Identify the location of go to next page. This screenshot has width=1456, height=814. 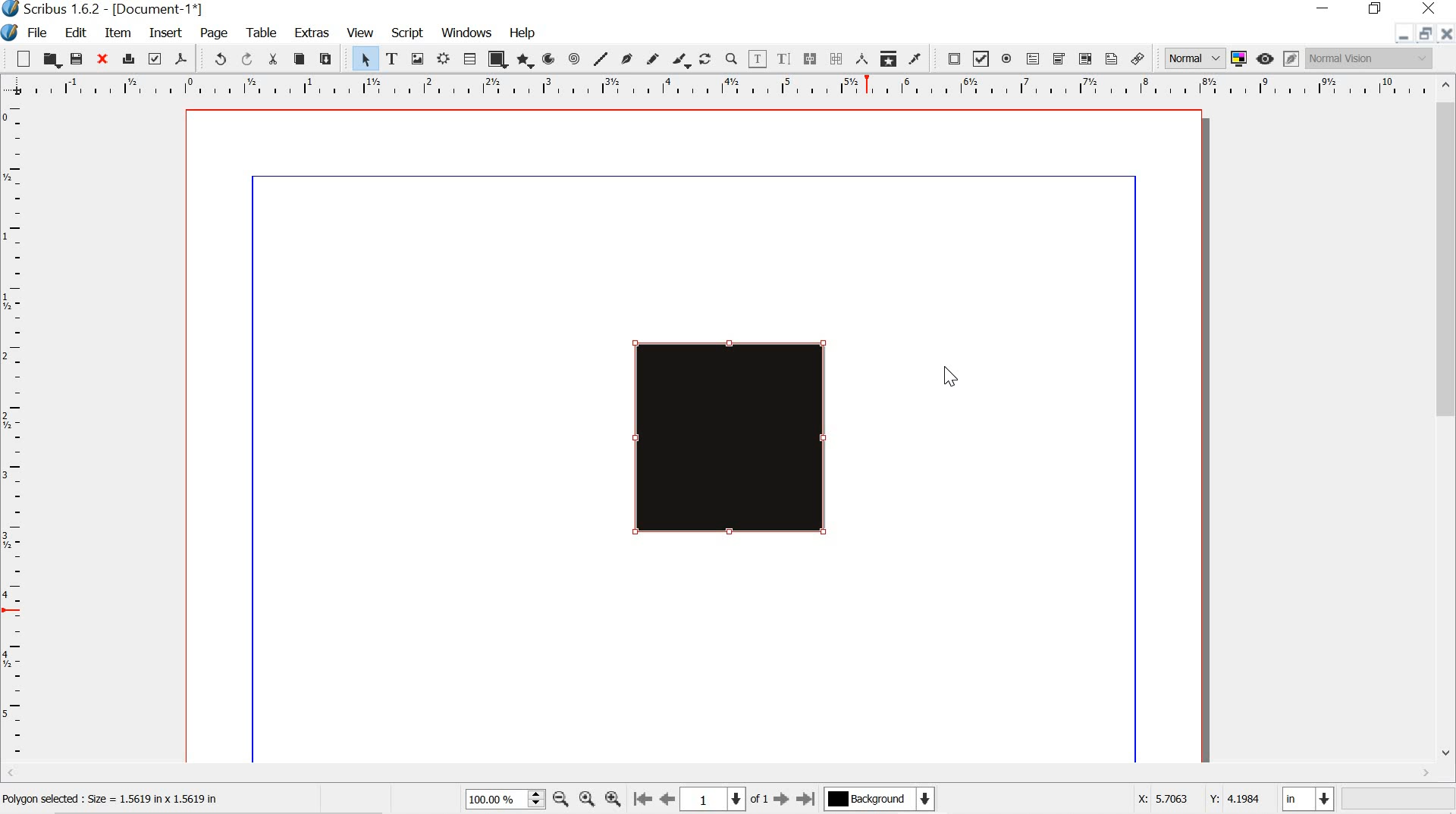
(781, 800).